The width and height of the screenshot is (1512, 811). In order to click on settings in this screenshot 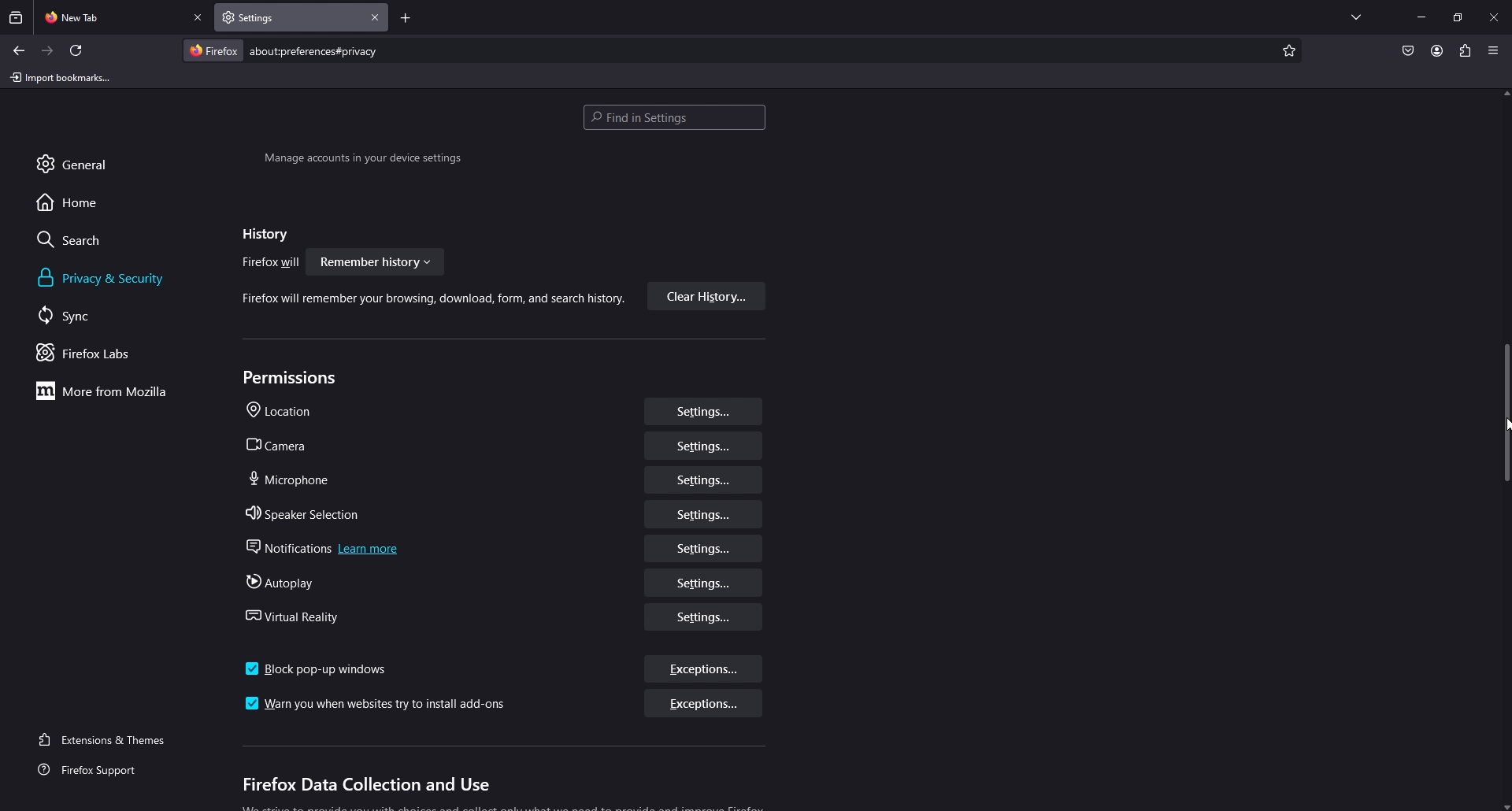, I will do `click(702, 480)`.